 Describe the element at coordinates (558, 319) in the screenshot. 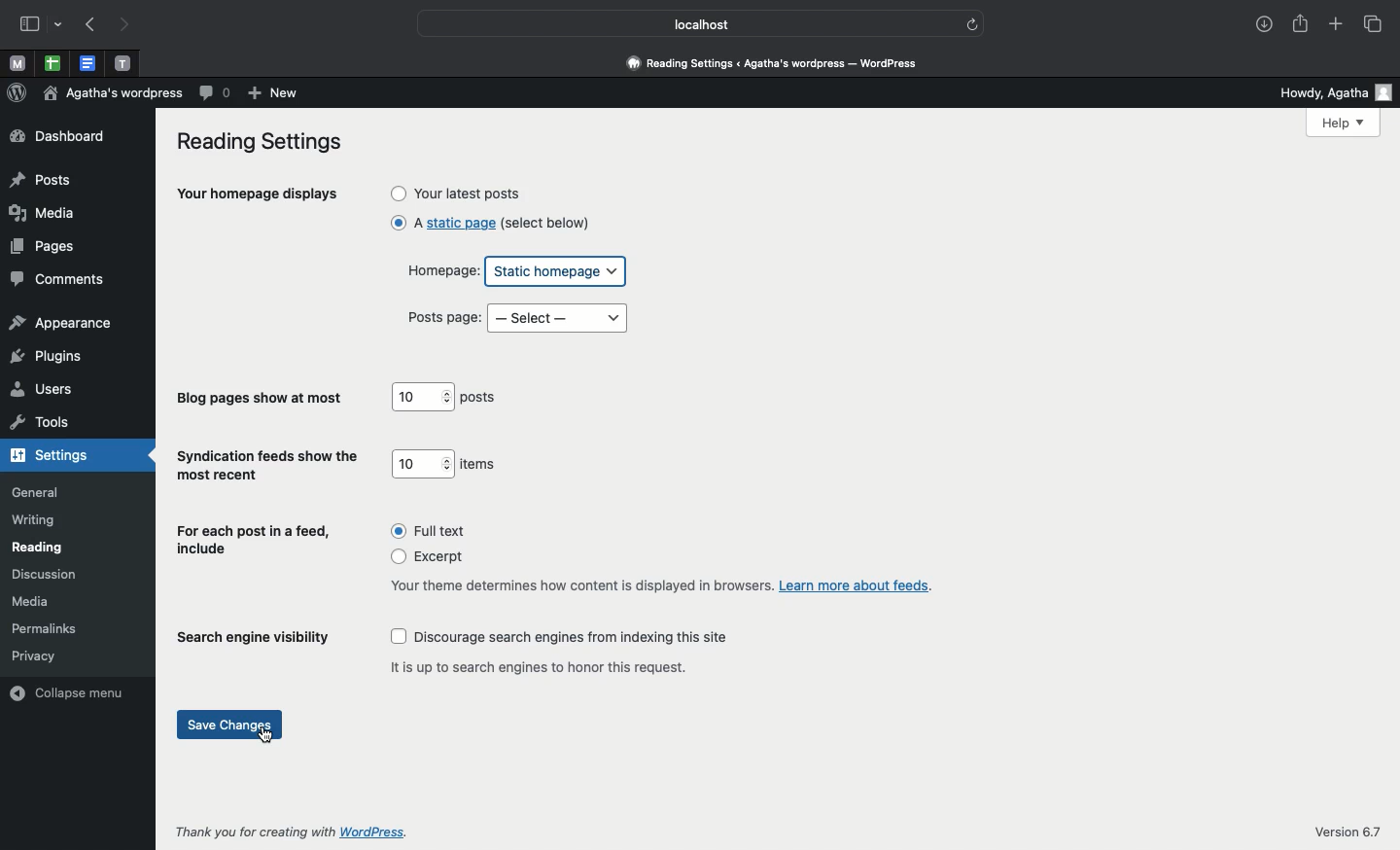

I see `Select` at that location.